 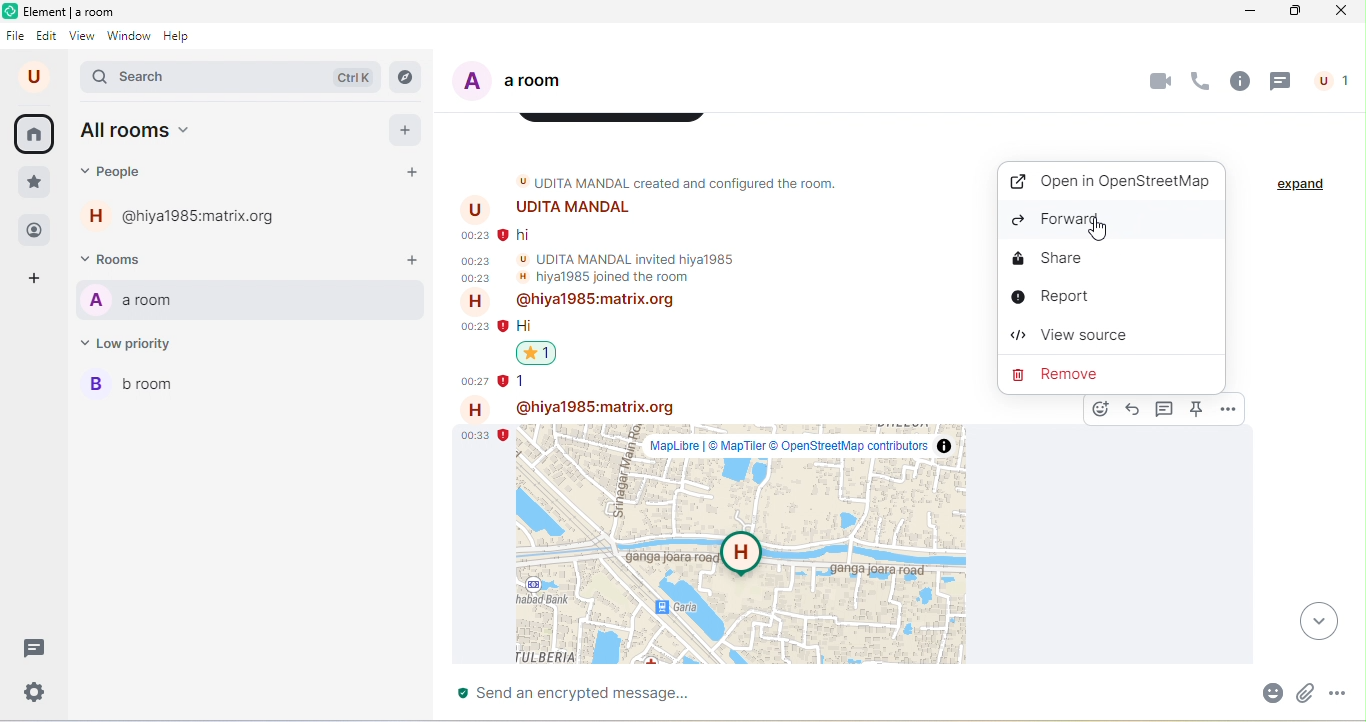 What do you see at coordinates (1240, 80) in the screenshot?
I see `room info` at bounding box center [1240, 80].